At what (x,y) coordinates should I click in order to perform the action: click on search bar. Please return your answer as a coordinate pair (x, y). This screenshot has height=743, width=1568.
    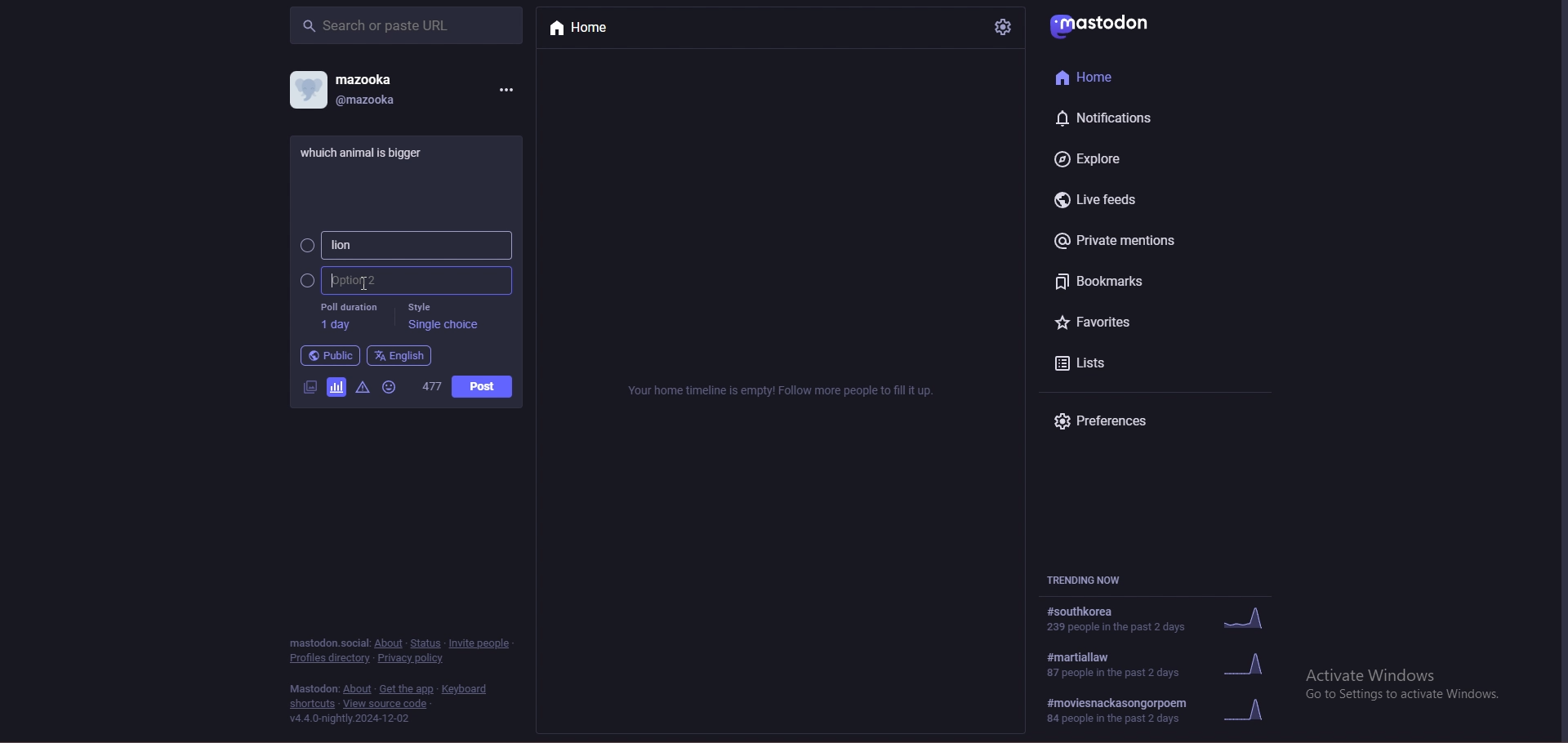
    Looking at the image, I should click on (406, 24).